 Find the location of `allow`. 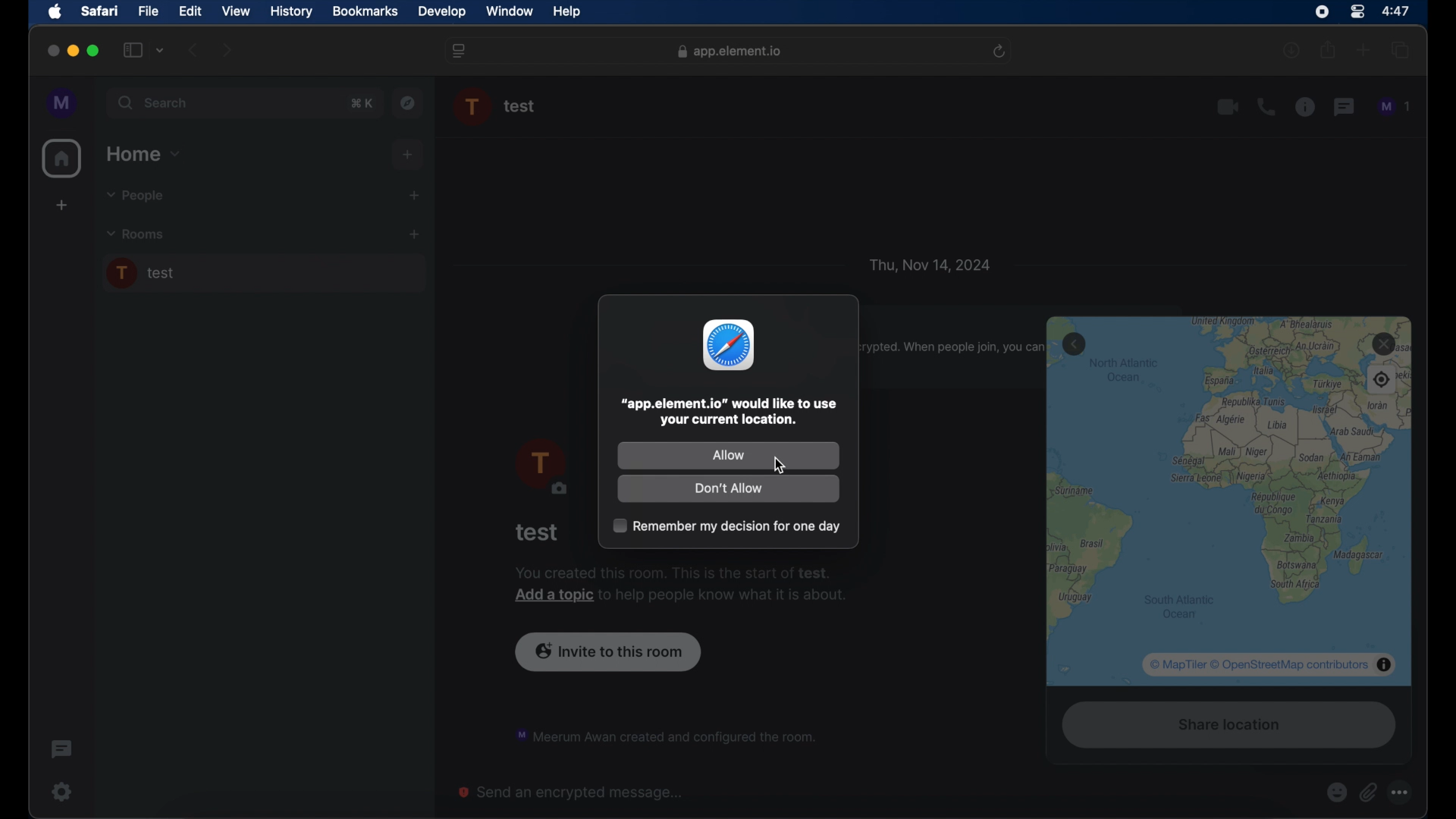

allow is located at coordinates (727, 454).